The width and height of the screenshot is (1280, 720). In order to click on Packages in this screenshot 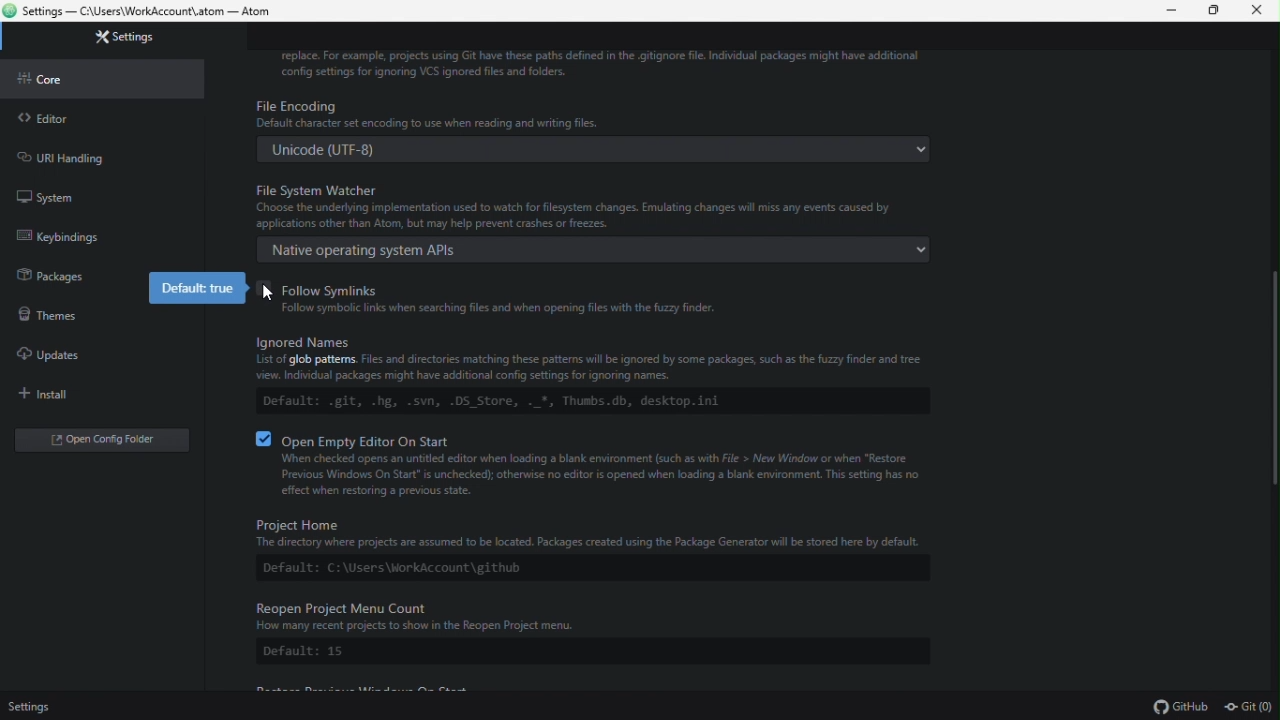, I will do `click(46, 273)`.